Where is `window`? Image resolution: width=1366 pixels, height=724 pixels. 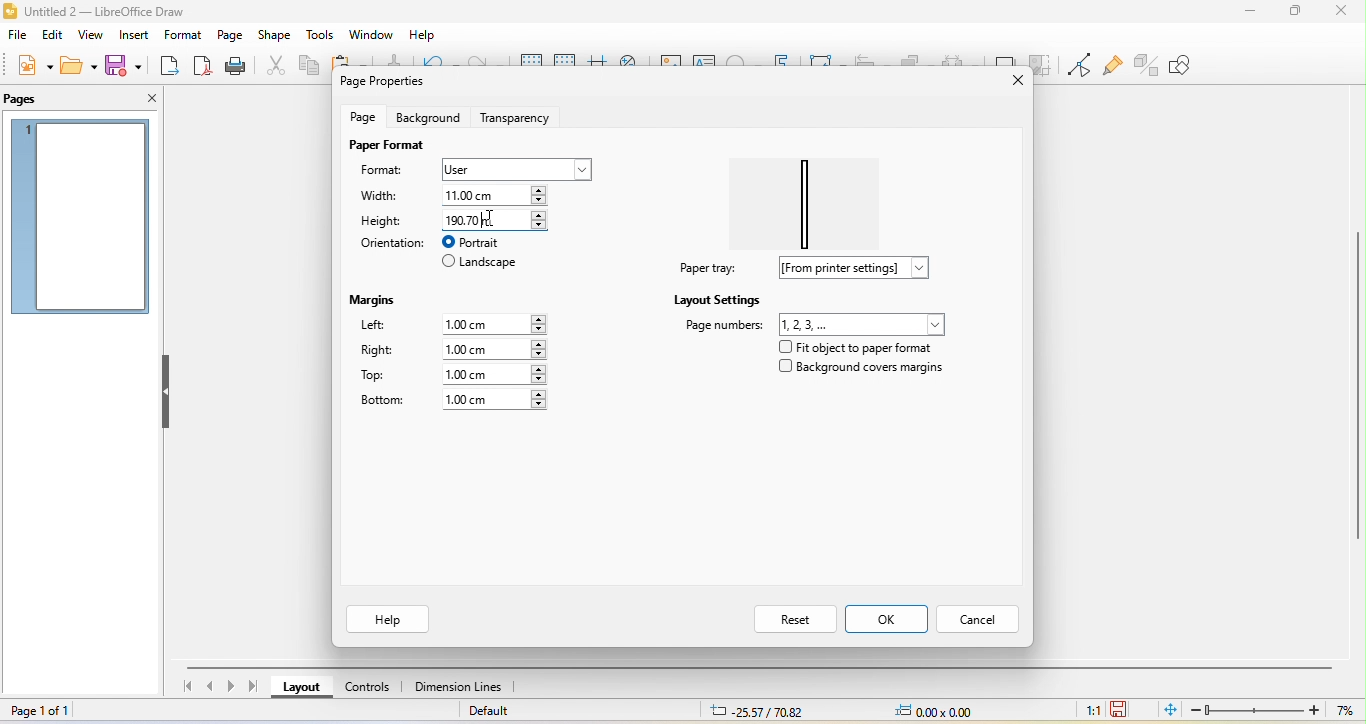 window is located at coordinates (371, 35).